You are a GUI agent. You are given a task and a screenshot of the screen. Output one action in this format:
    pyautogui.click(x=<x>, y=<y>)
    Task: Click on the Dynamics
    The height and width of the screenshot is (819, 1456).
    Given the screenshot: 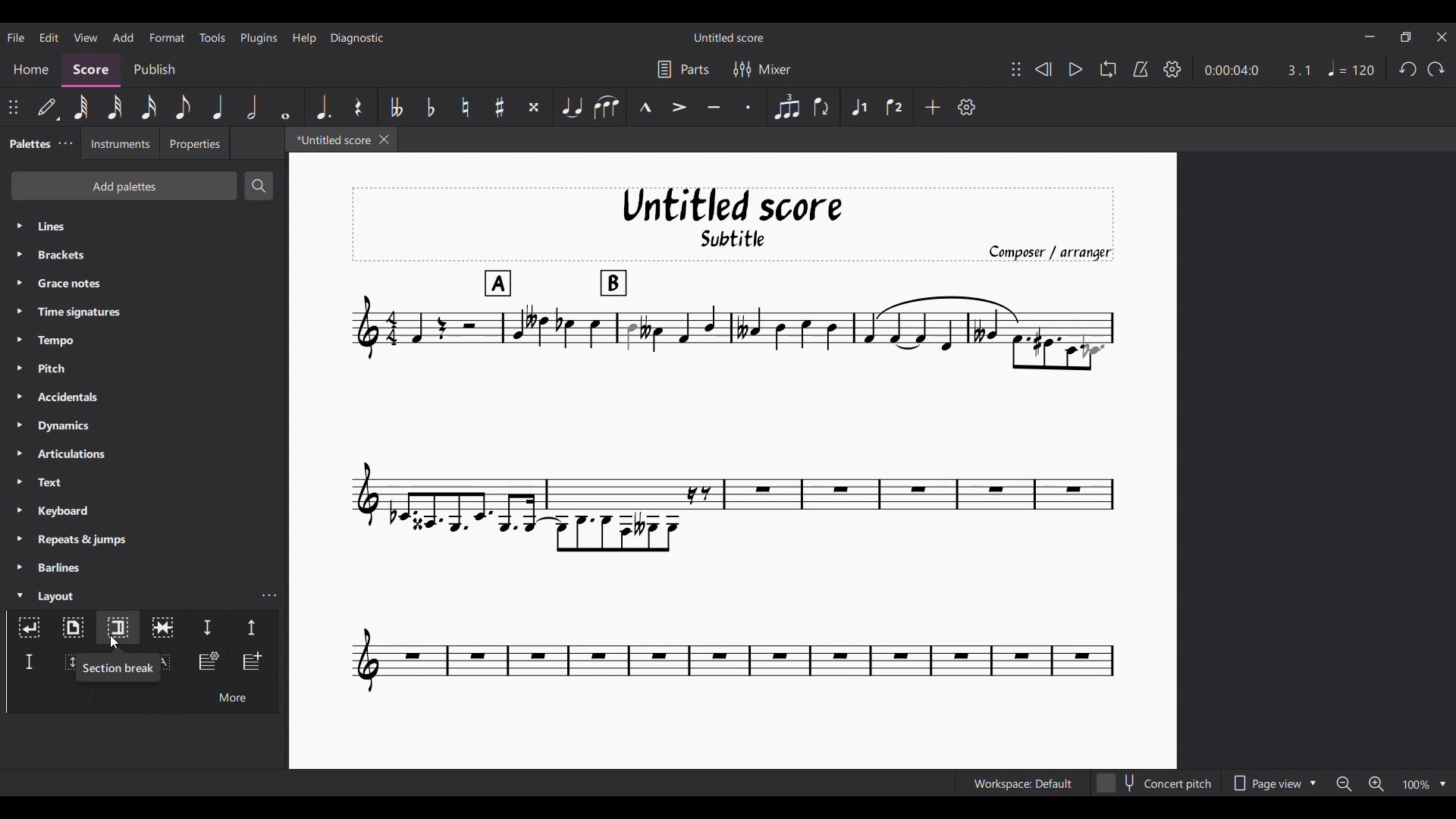 What is the action you would take?
    pyautogui.click(x=144, y=426)
    